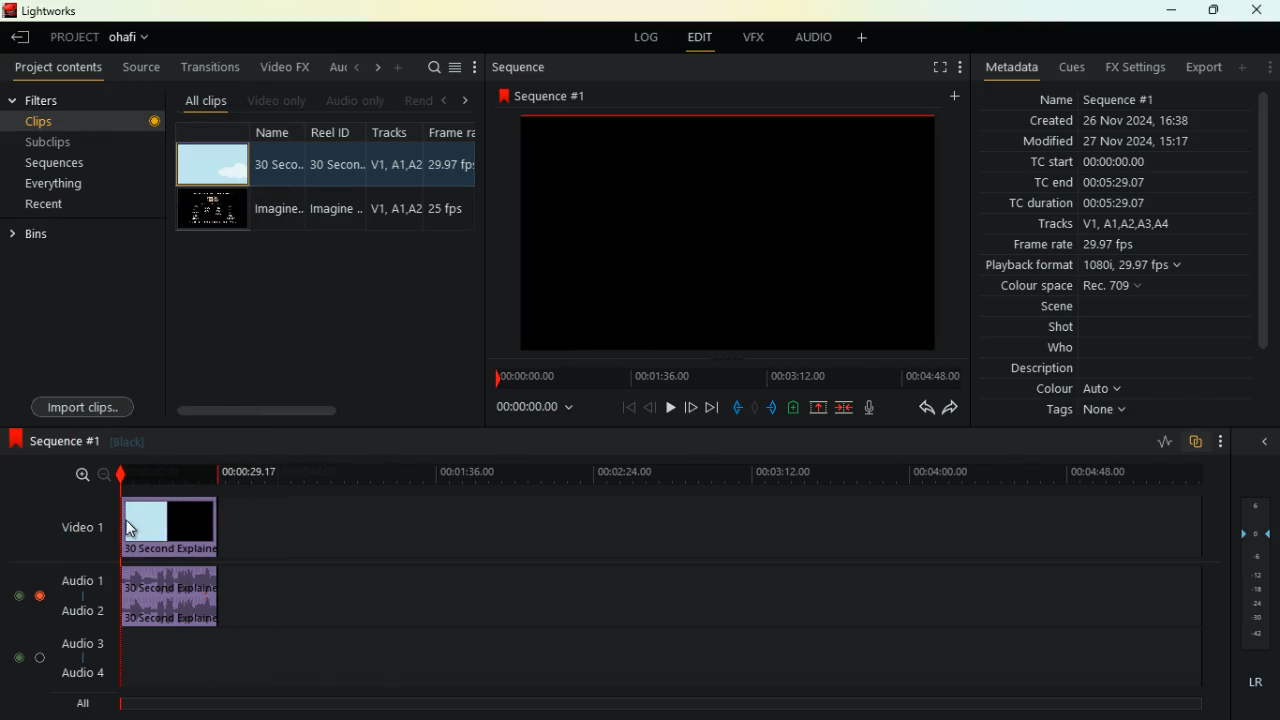  I want to click on fullscreen, so click(930, 67).